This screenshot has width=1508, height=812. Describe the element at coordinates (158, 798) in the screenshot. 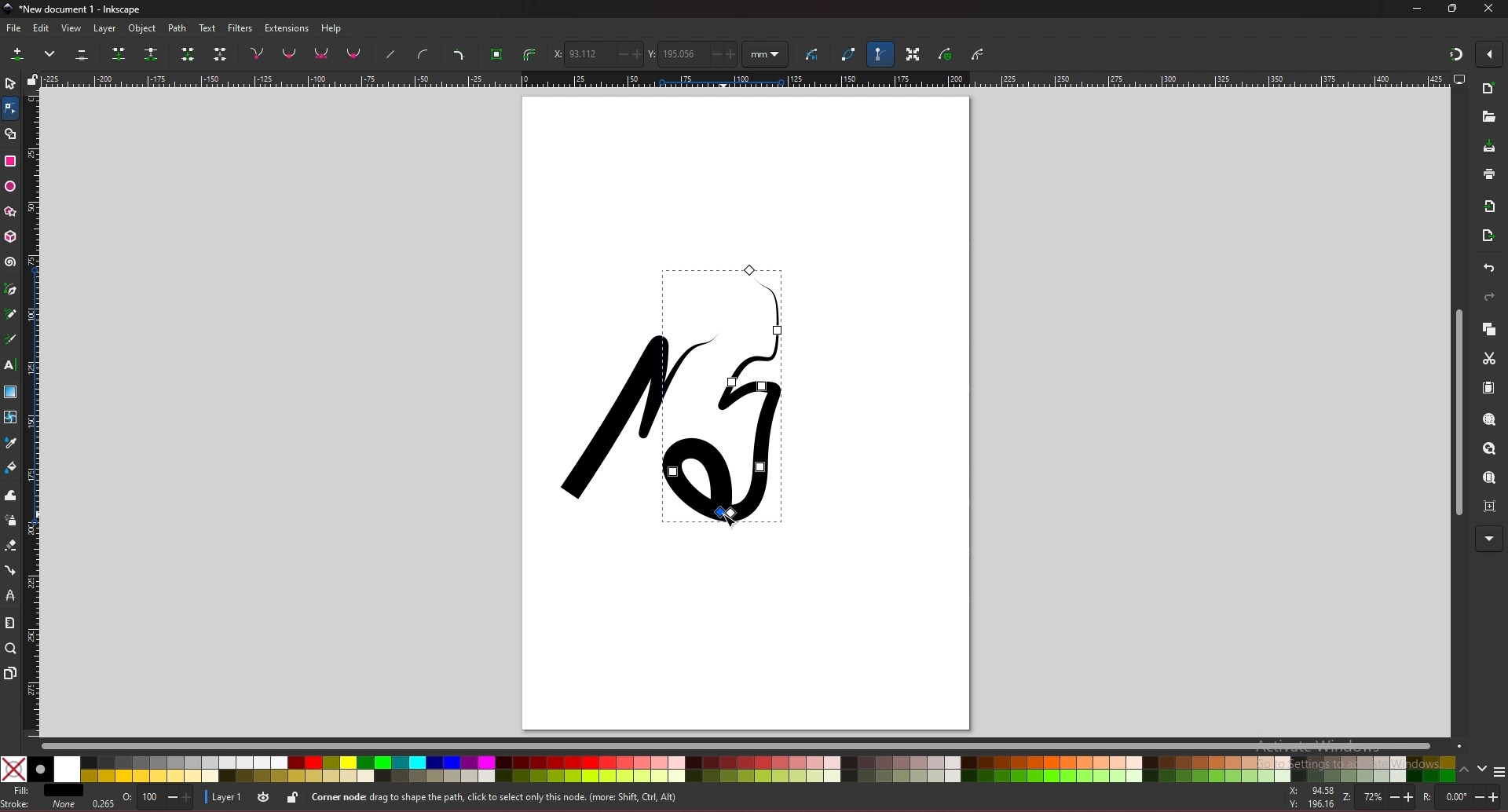

I see `opacity` at that location.